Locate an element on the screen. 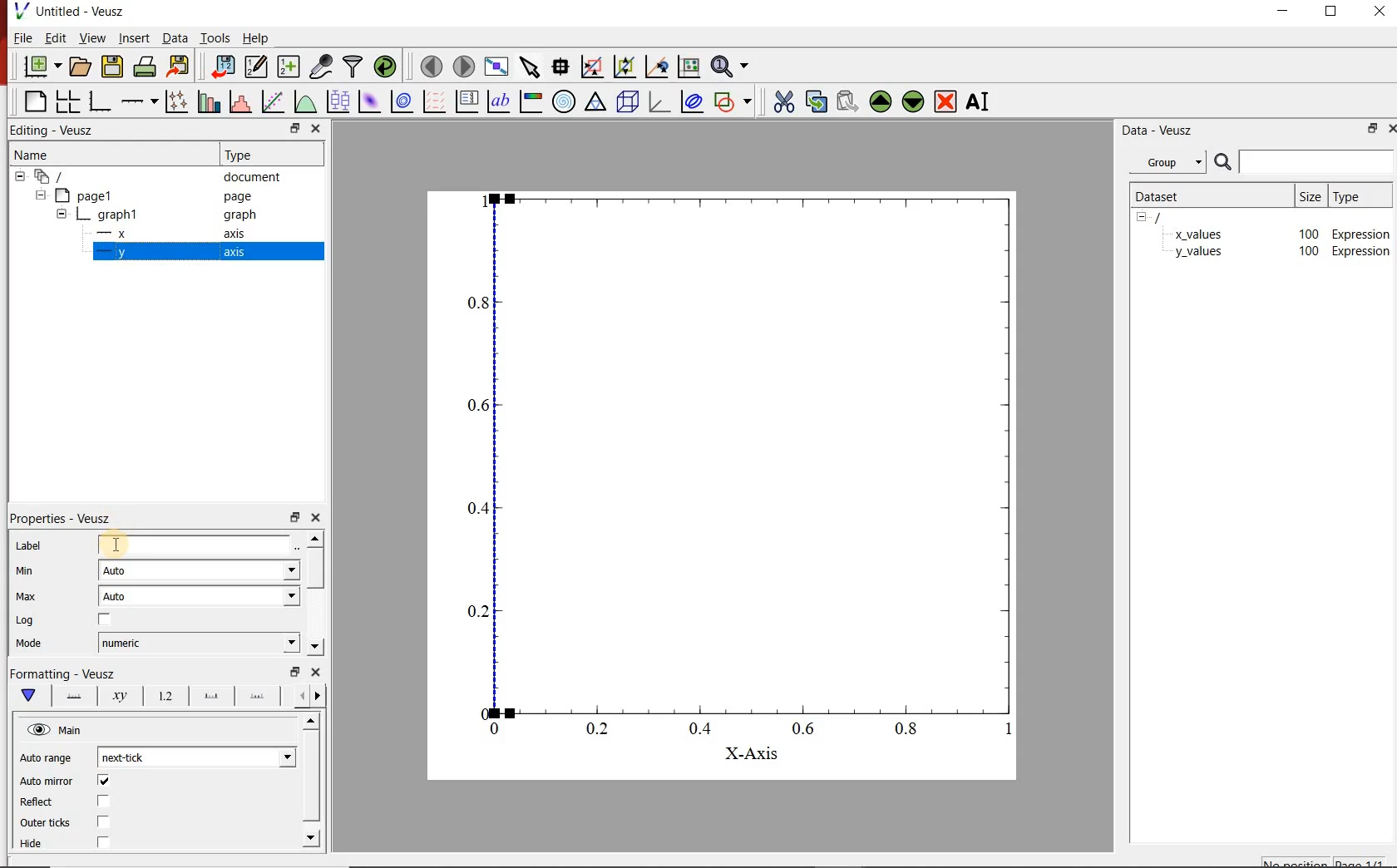 The image size is (1397, 868). Editing - Veusz is located at coordinates (53, 131).